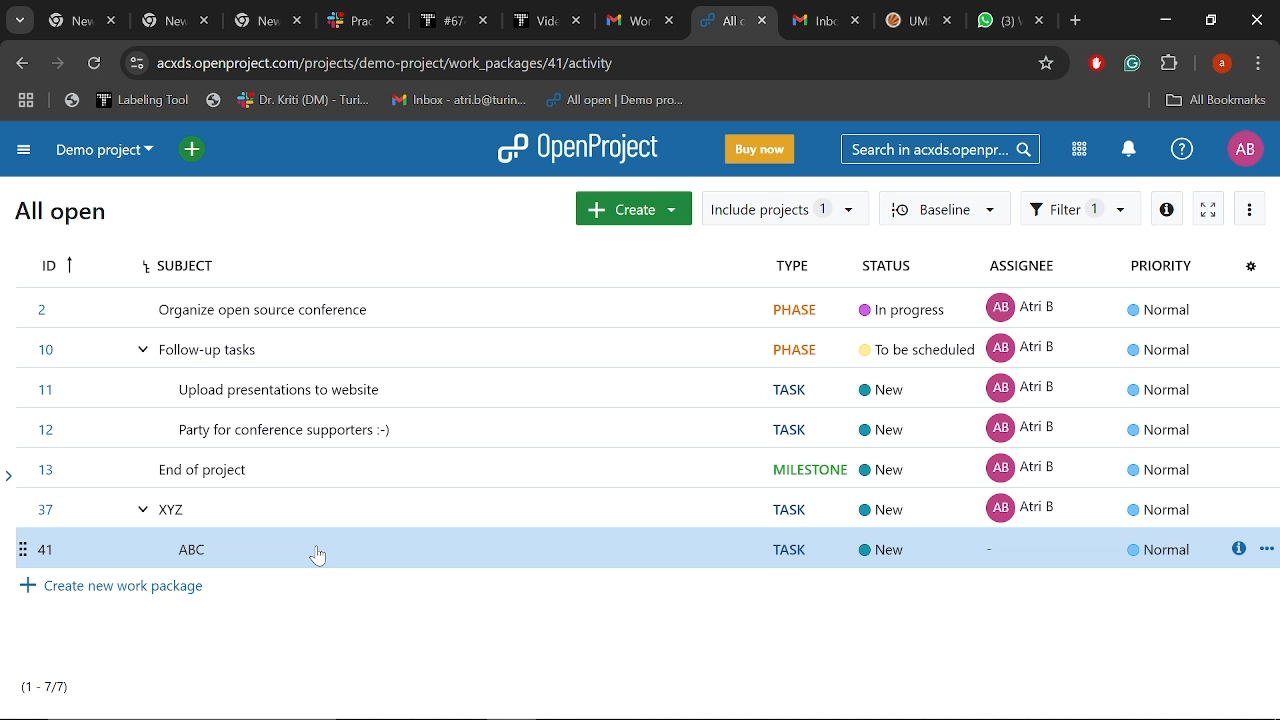 The height and width of the screenshot is (720, 1280). I want to click on Add bookmark, so click(1049, 64).